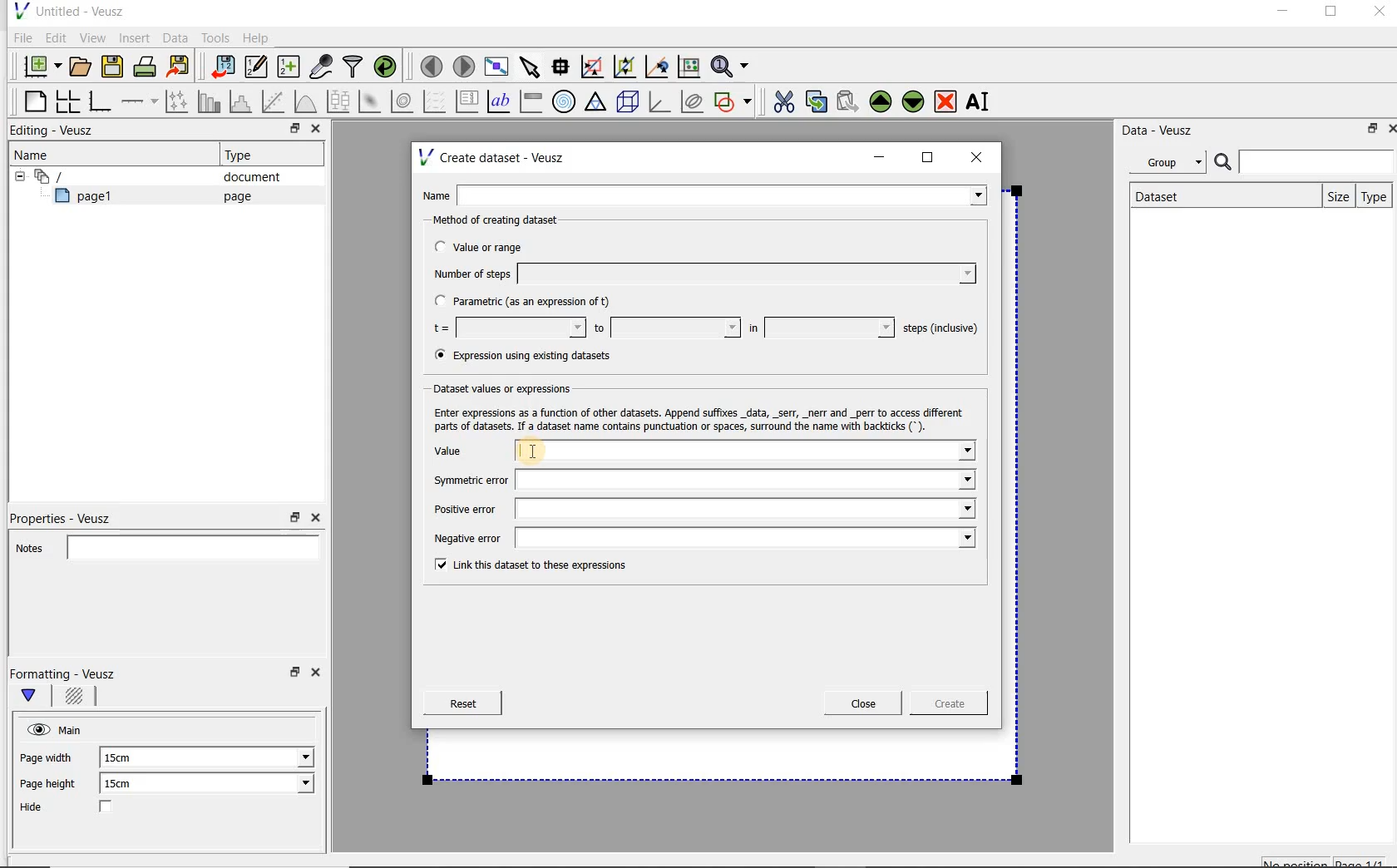 The image size is (1397, 868). Describe the element at coordinates (304, 101) in the screenshot. I see `plot a function` at that location.